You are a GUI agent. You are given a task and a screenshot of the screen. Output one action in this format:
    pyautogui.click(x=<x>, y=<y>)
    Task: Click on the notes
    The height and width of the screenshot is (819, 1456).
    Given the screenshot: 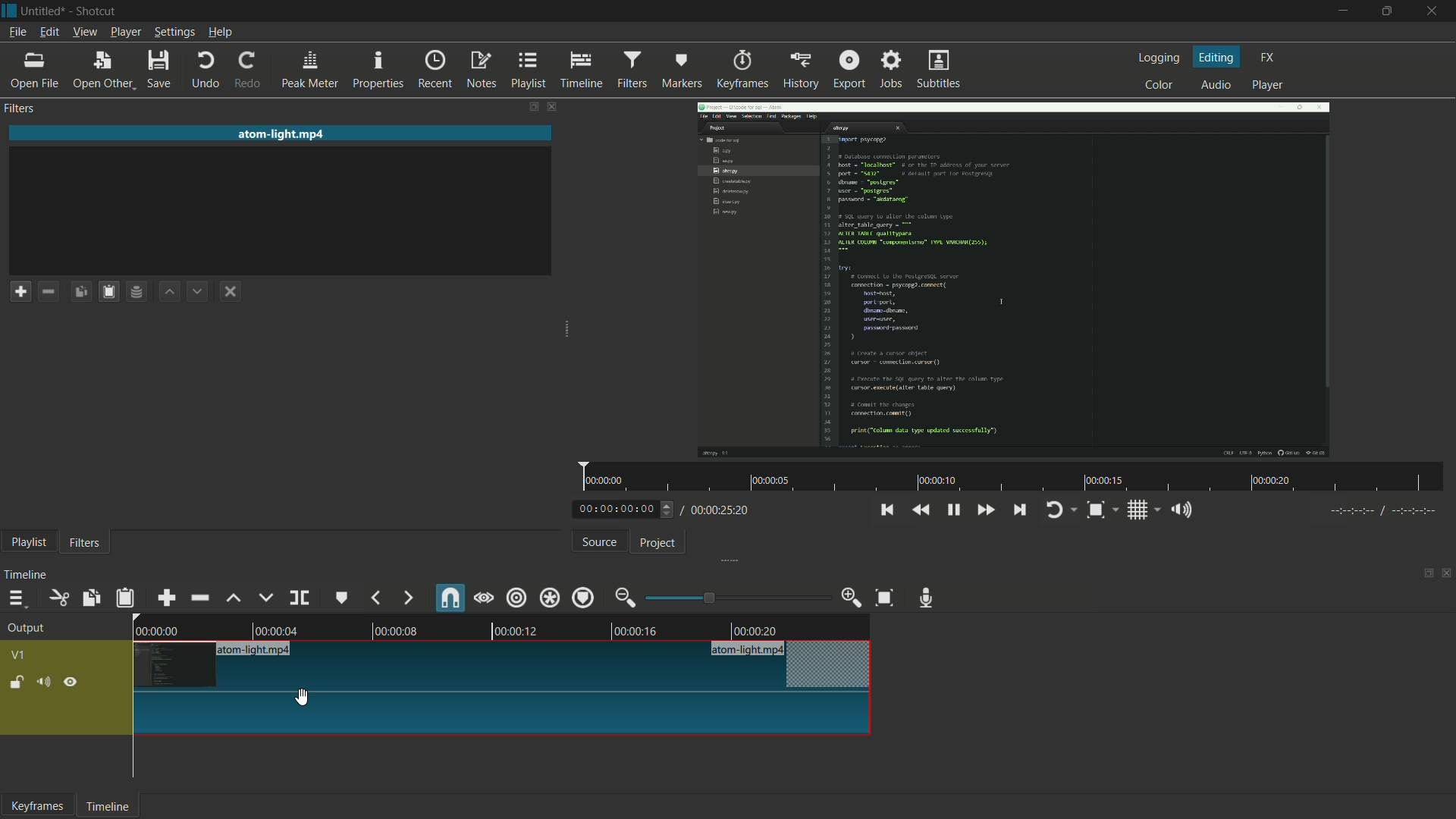 What is the action you would take?
    pyautogui.click(x=482, y=71)
    